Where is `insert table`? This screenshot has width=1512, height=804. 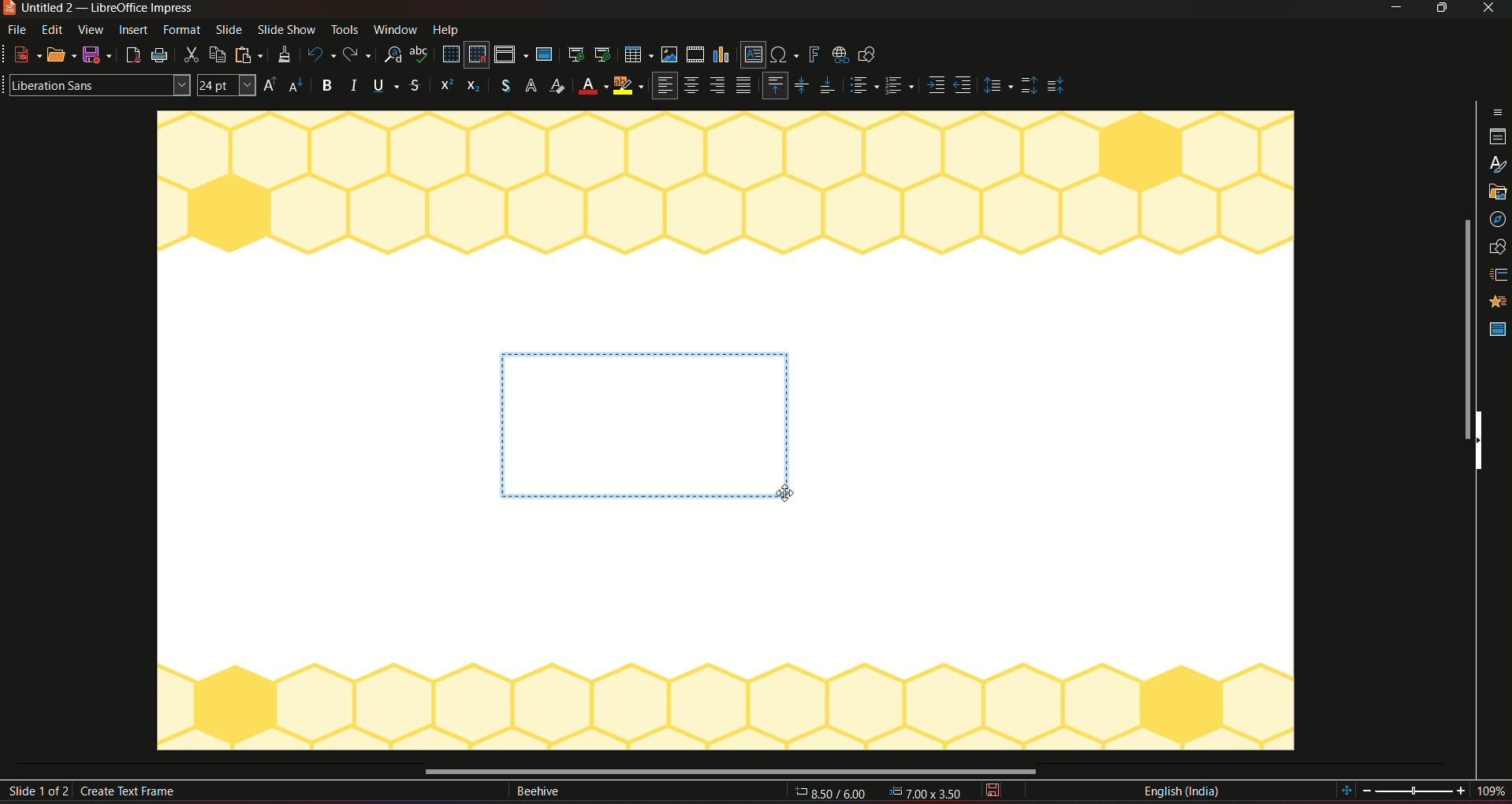
insert table is located at coordinates (636, 54).